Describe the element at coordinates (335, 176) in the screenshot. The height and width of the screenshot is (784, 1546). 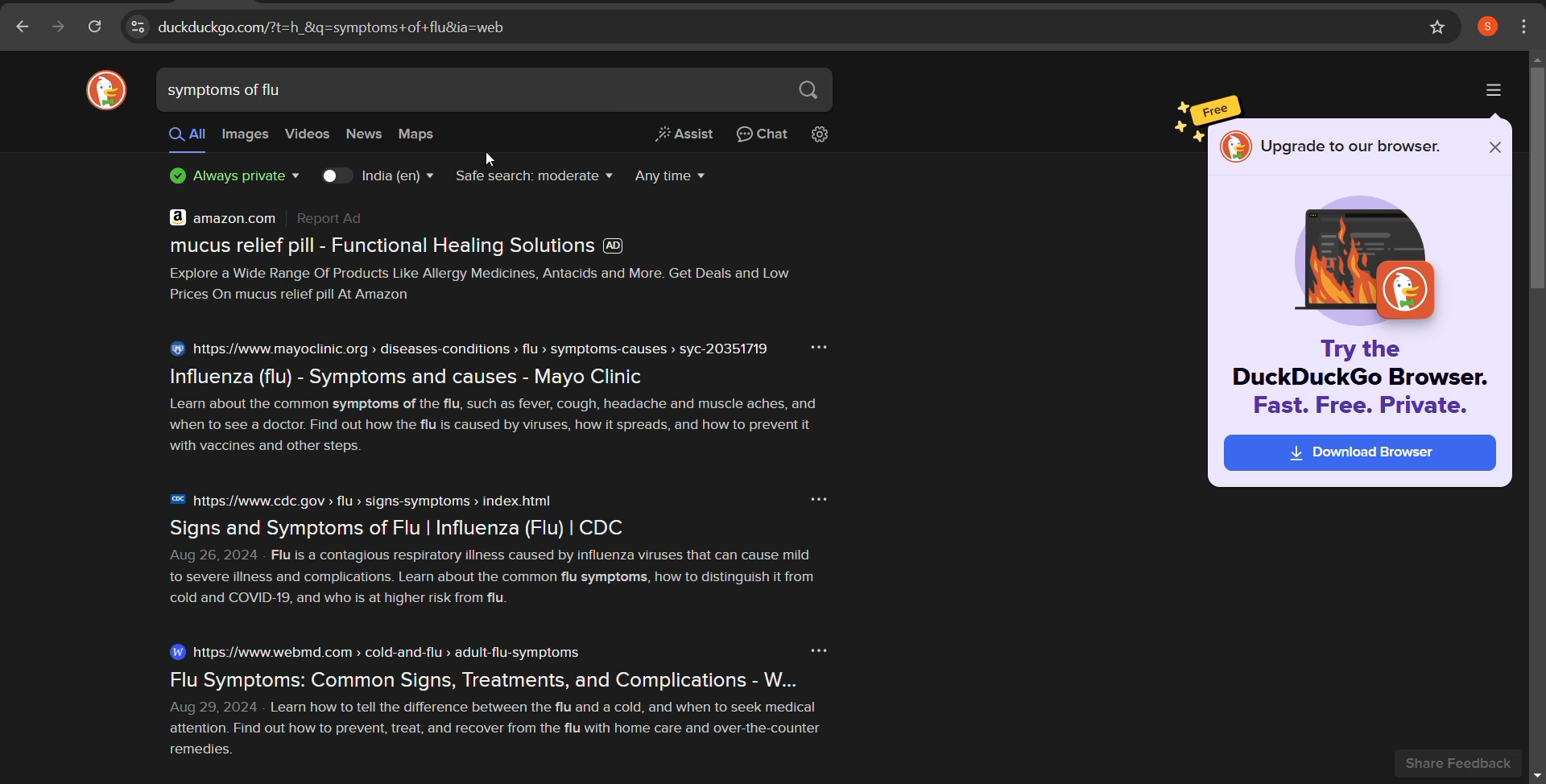
I see `location results toggle key` at that location.